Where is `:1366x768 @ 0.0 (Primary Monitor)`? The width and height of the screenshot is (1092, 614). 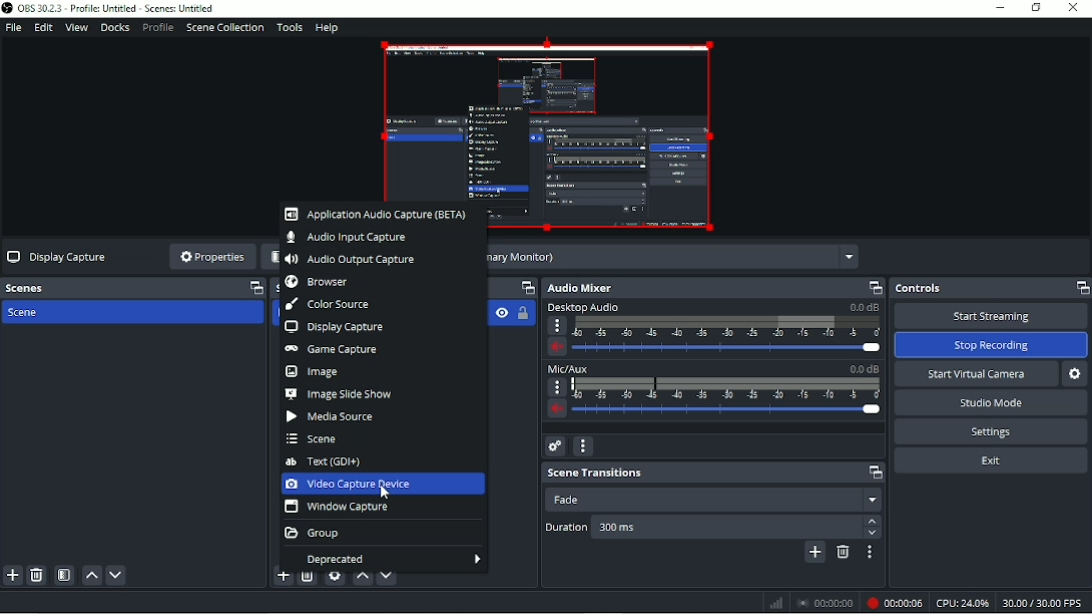 :1366x768 @ 0.0 (Primary Monitor) is located at coordinates (674, 257).